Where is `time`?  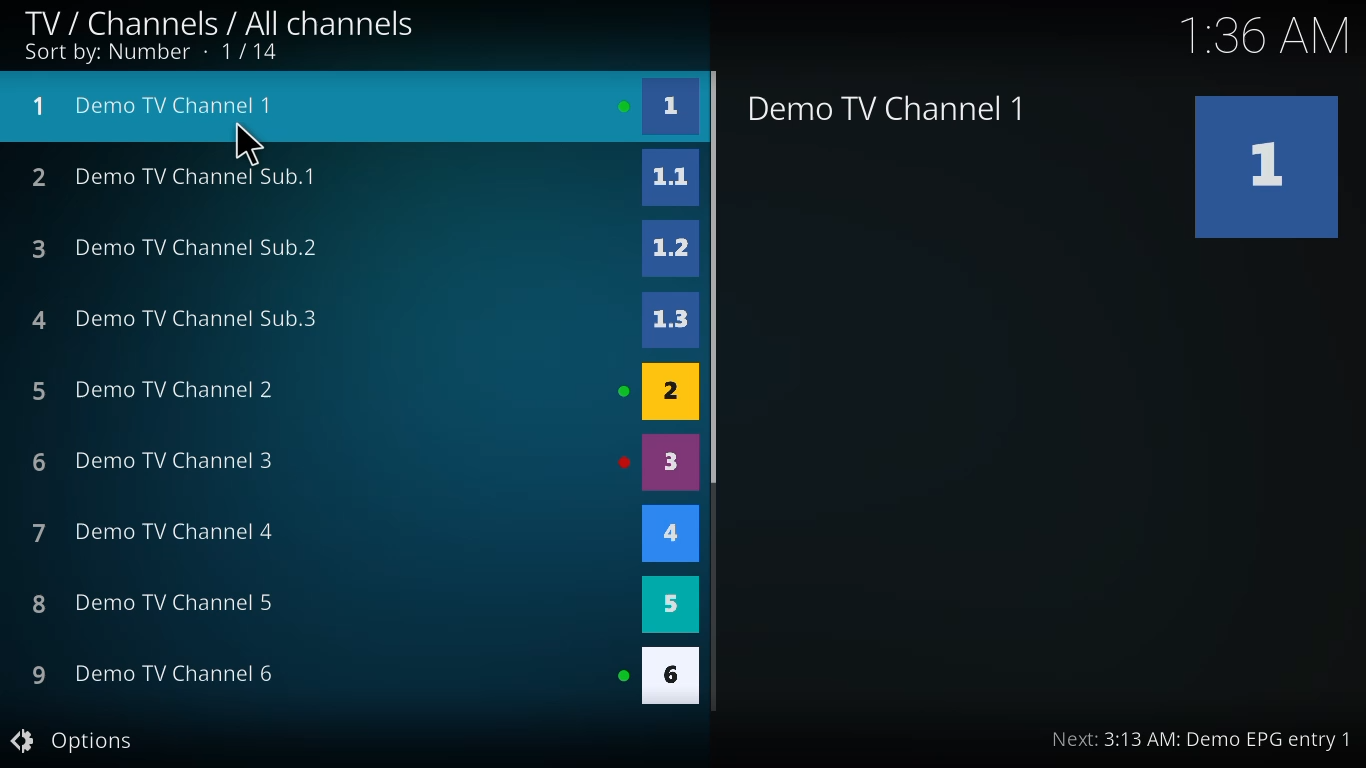
time is located at coordinates (1267, 35).